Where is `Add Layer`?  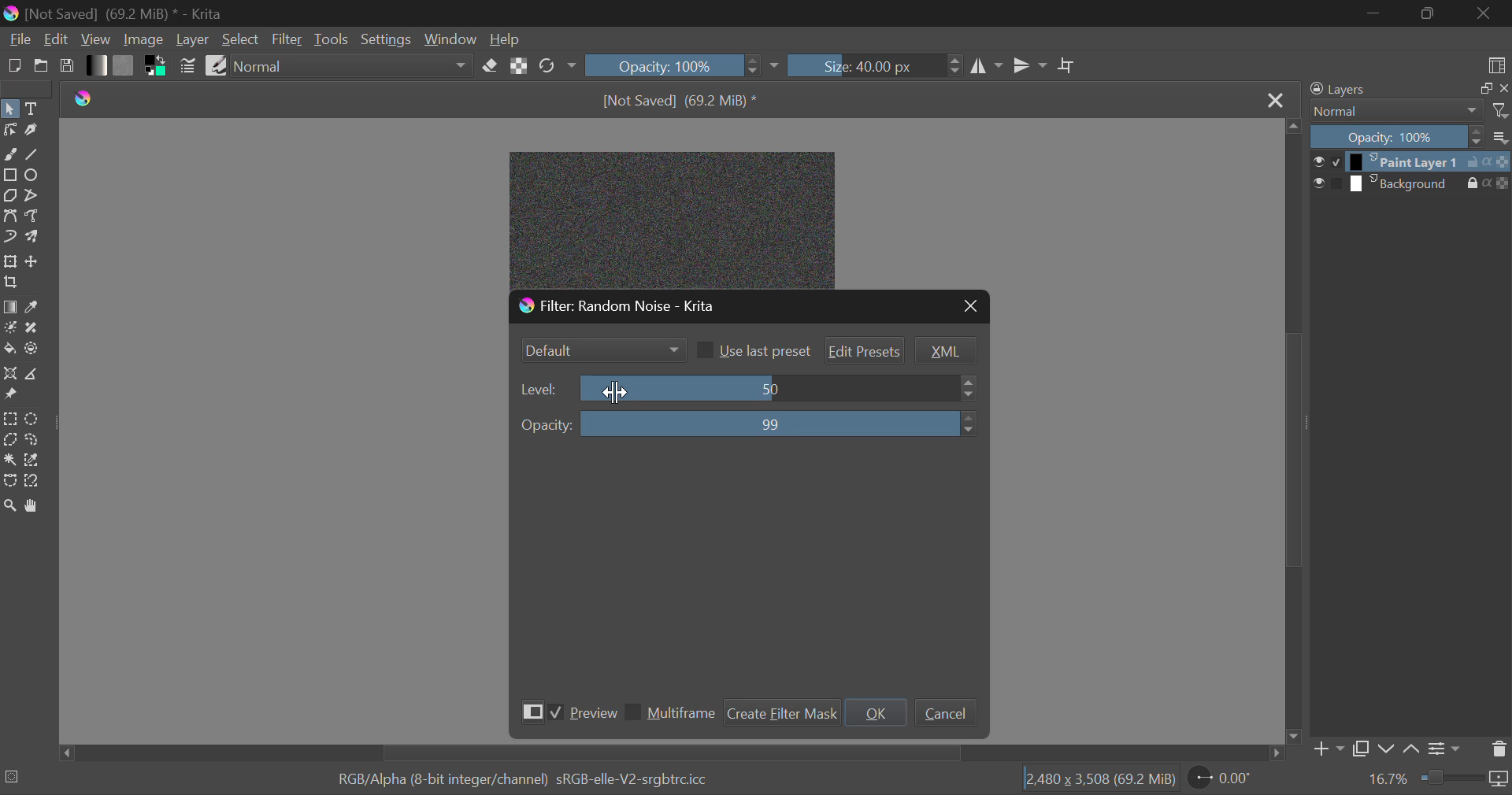
Add Layer is located at coordinates (1325, 749).